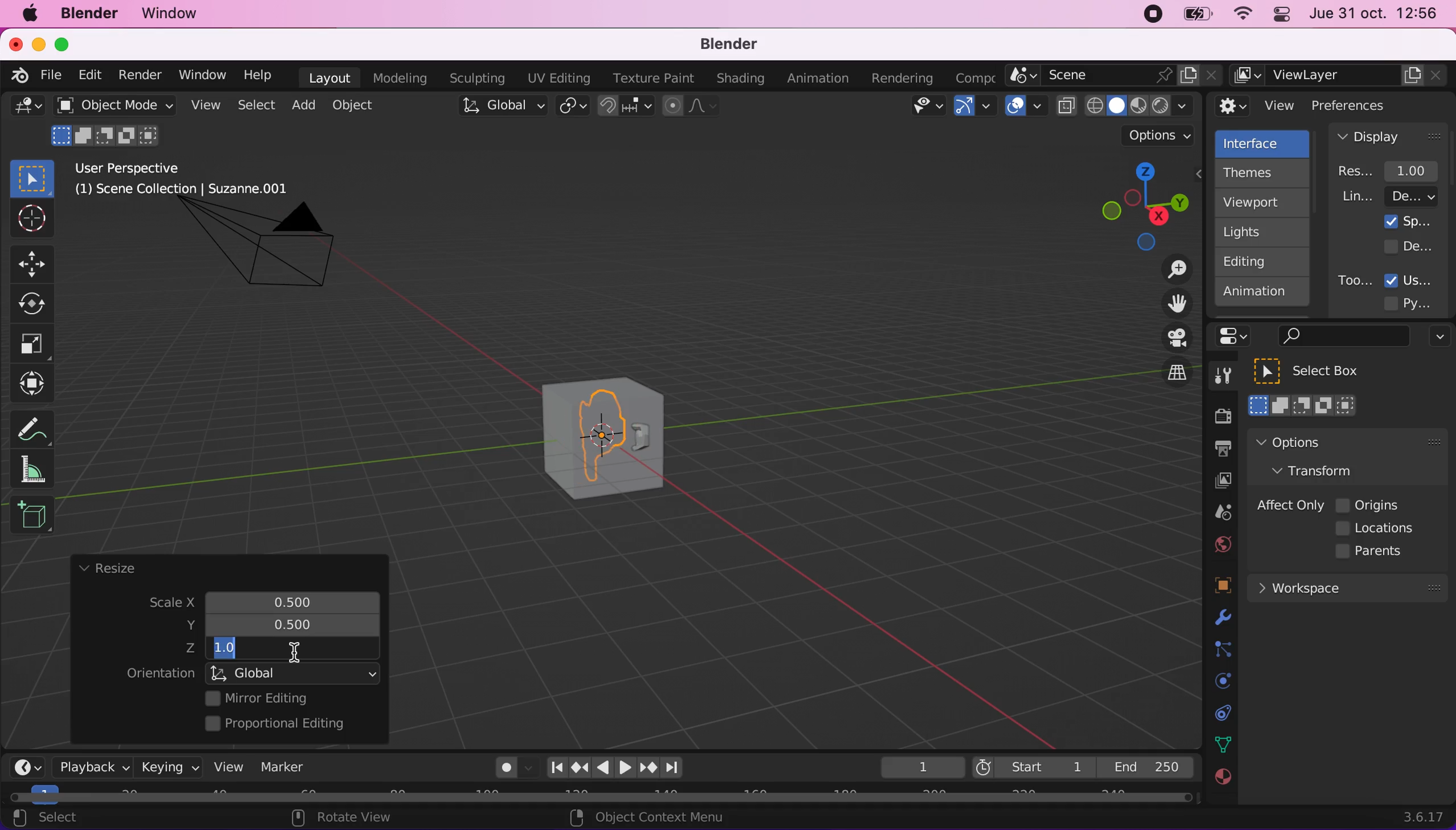 Image resolution: width=1456 pixels, height=830 pixels. I want to click on 3.6.17, so click(1426, 817).